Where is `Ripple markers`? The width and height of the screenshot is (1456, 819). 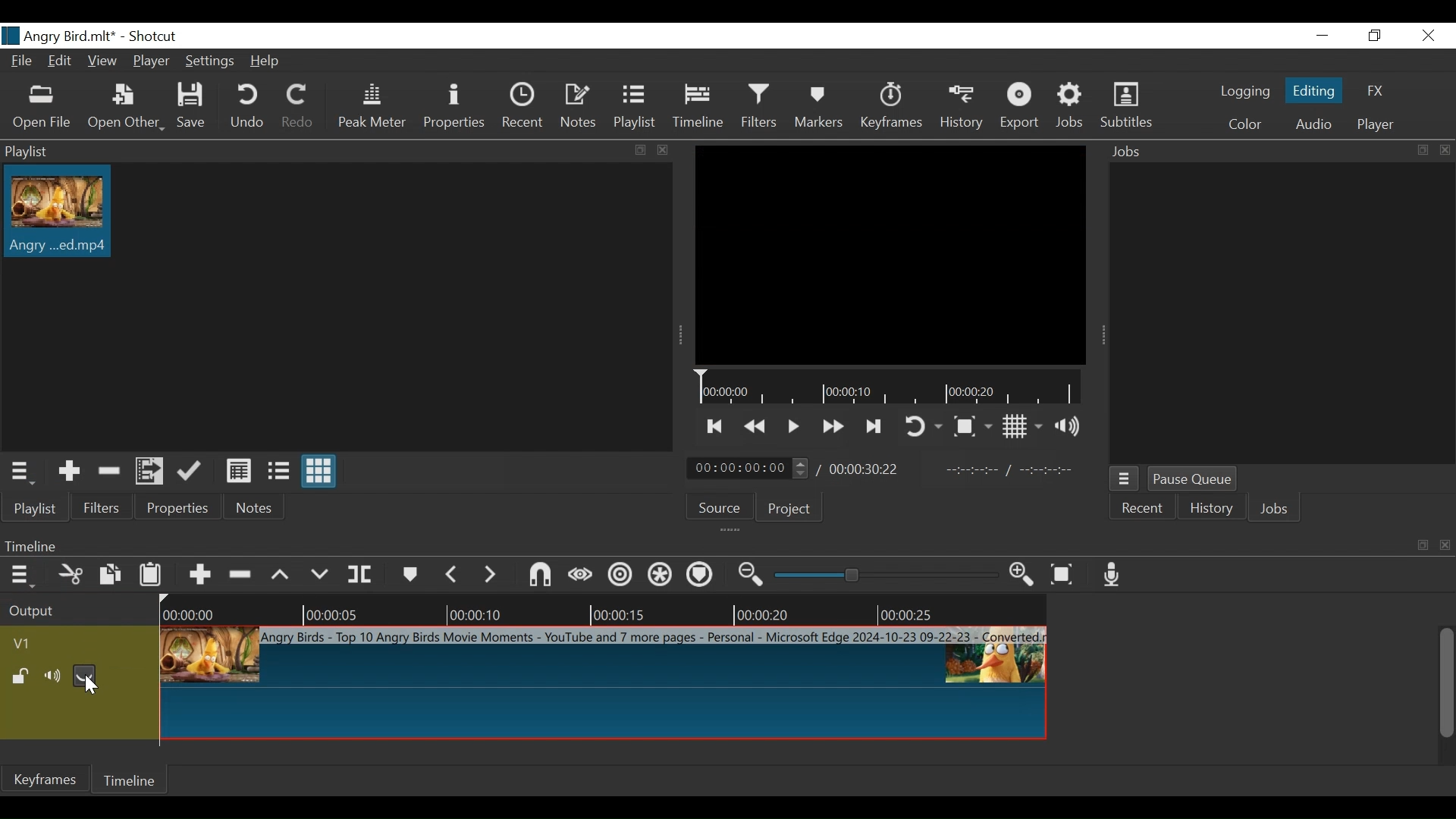
Ripple markers is located at coordinates (699, 576).